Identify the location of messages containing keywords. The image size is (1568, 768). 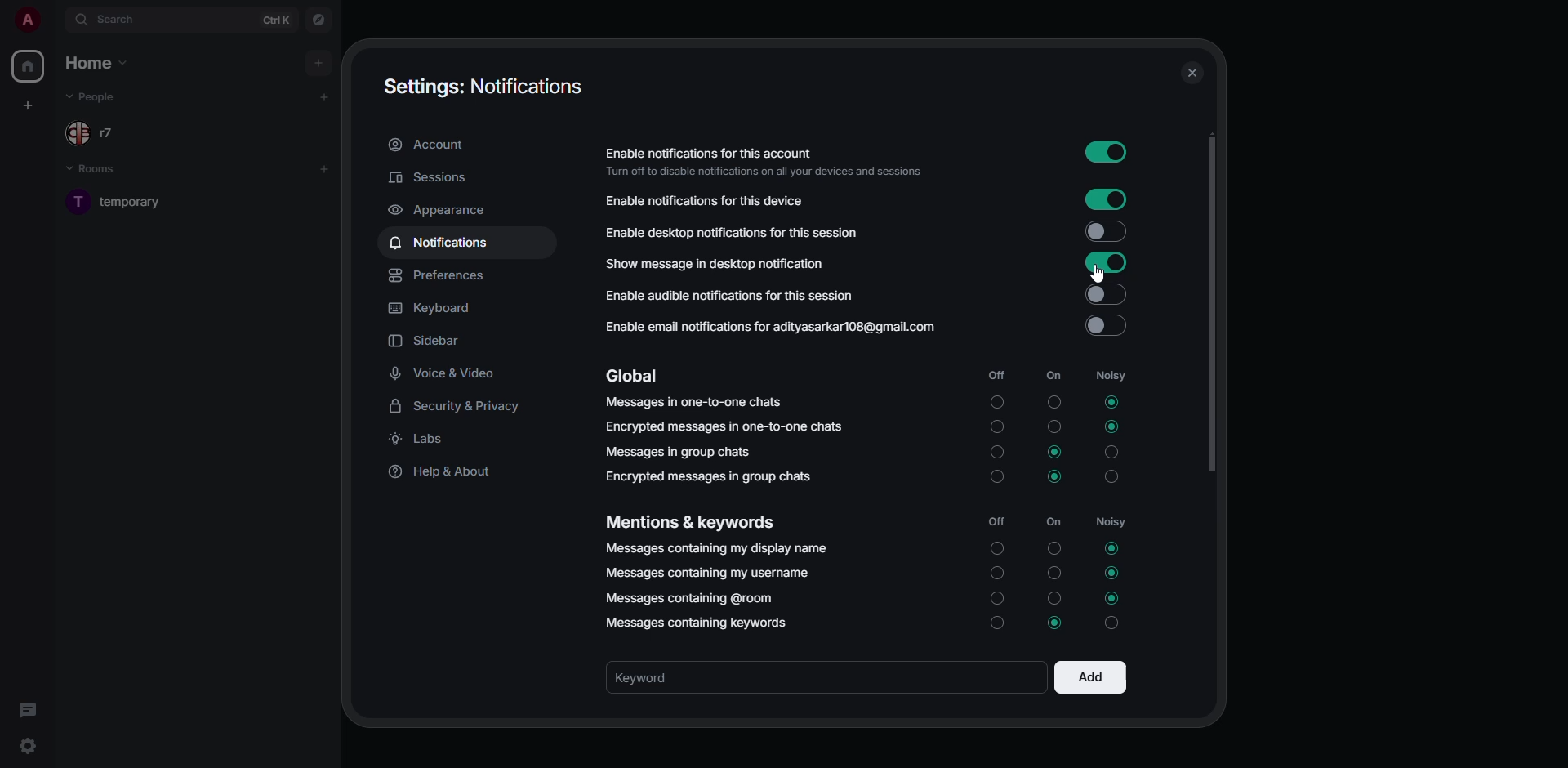
(698, 623).